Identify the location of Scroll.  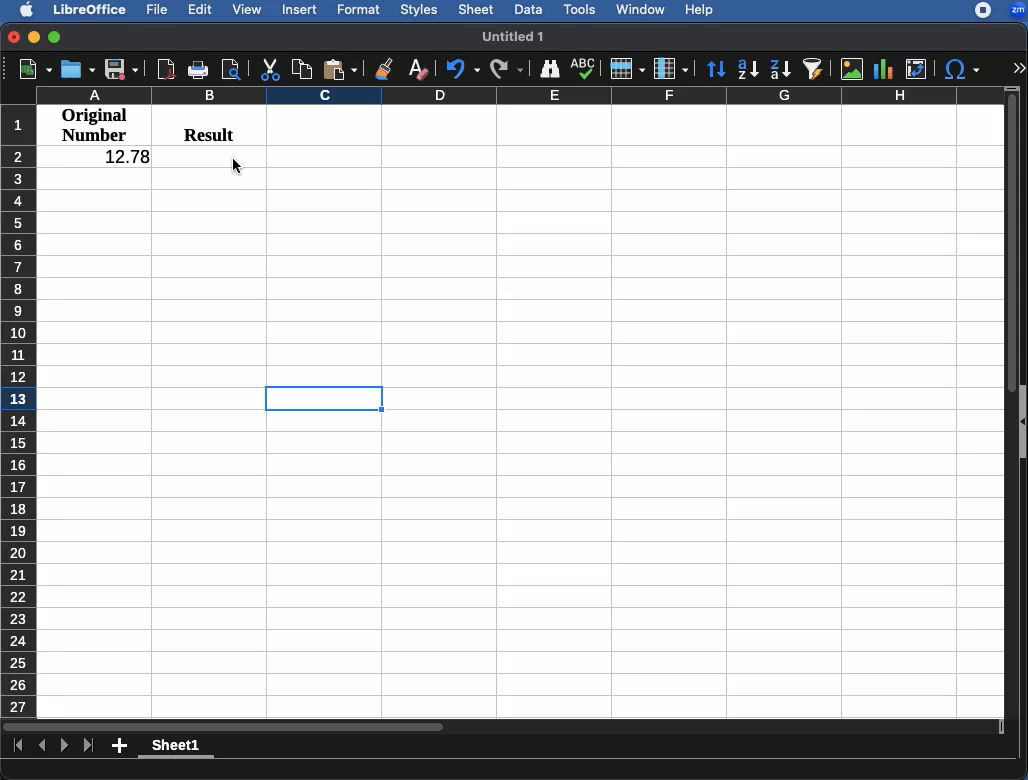
(1013, 400).